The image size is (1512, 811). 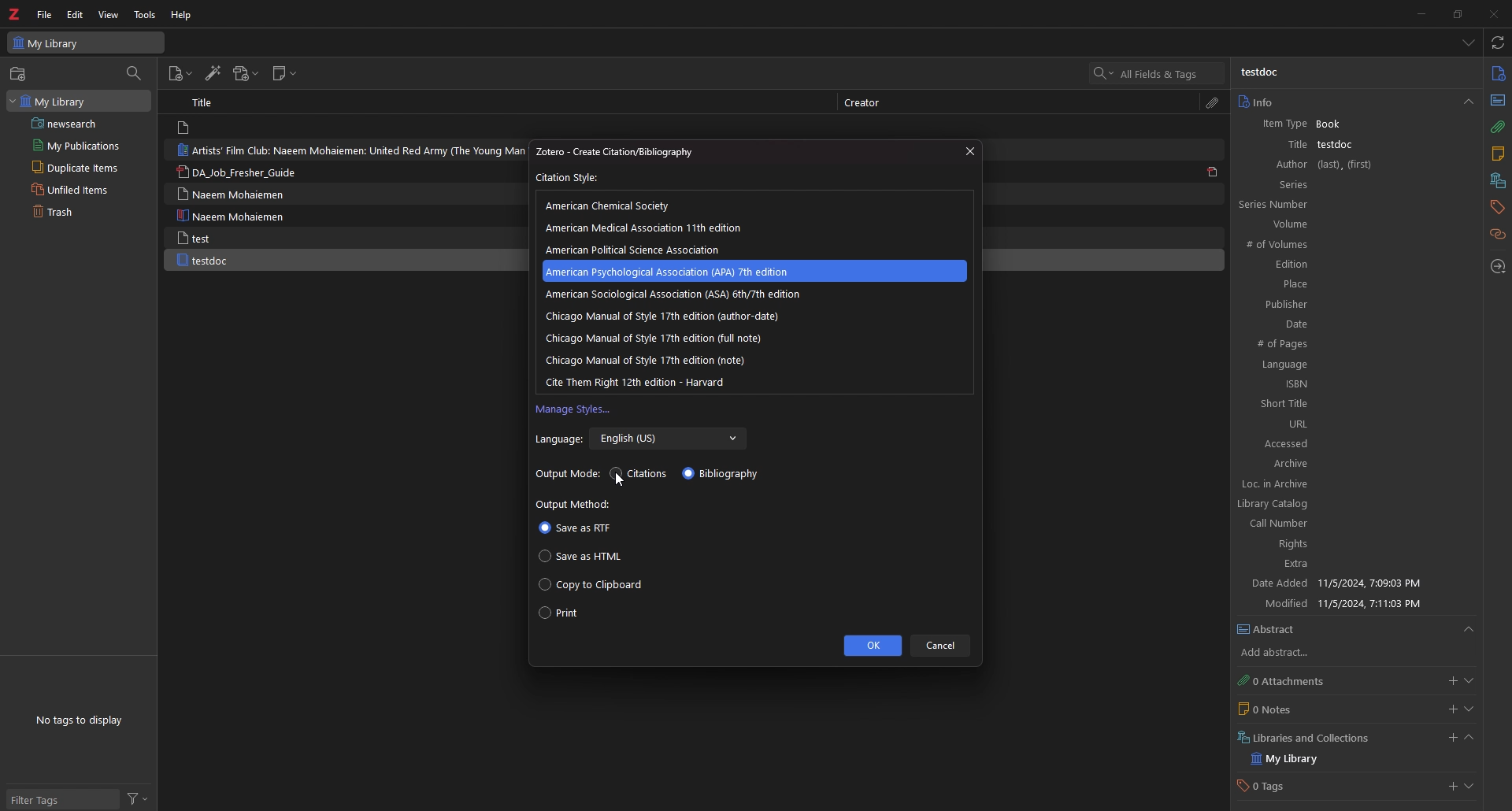 I want to click on manage styles, so click(x=574, y=410).